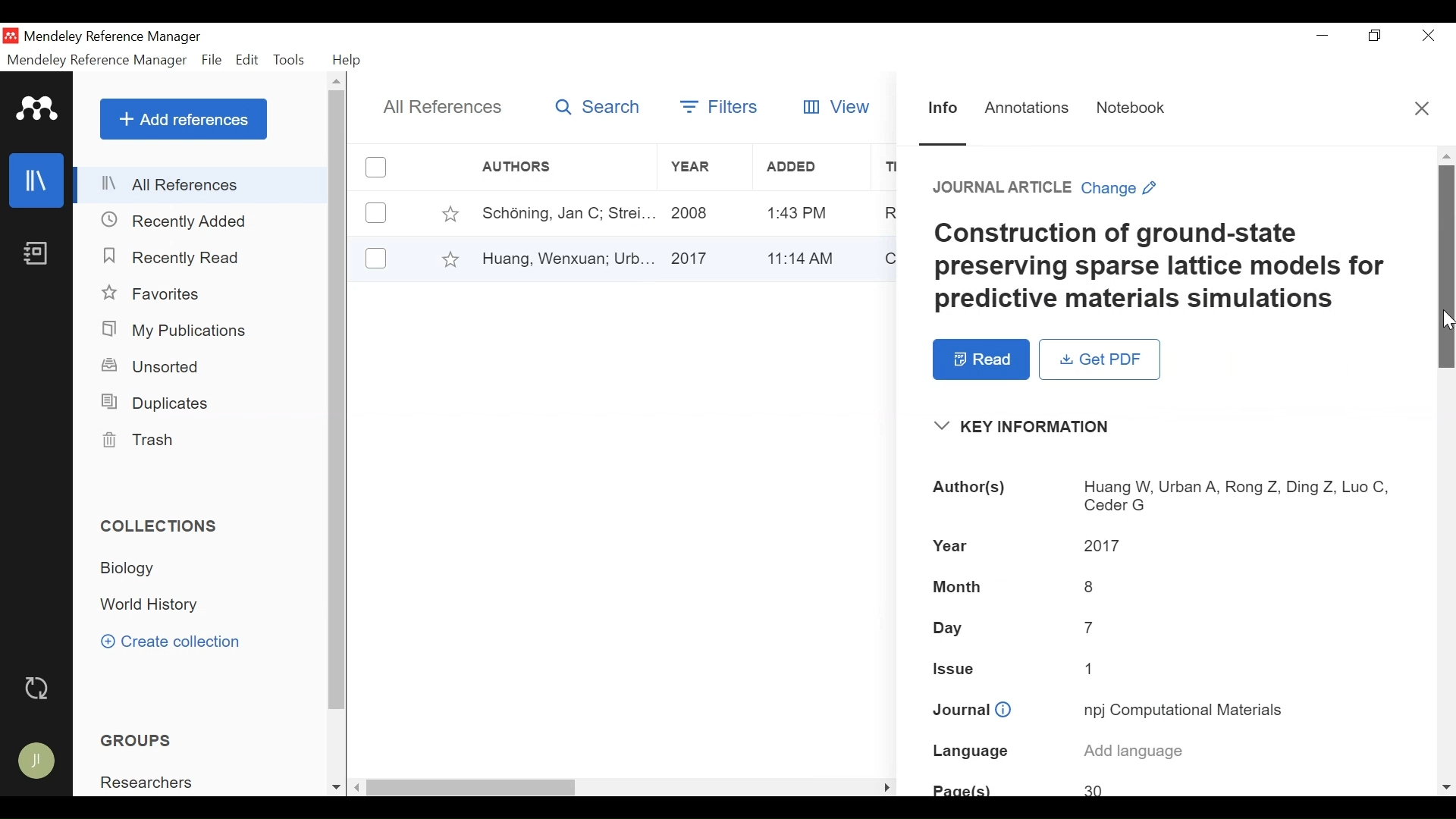 This screenshot has height=819, width=1456. I want to click on Month, so click(1166, 585).